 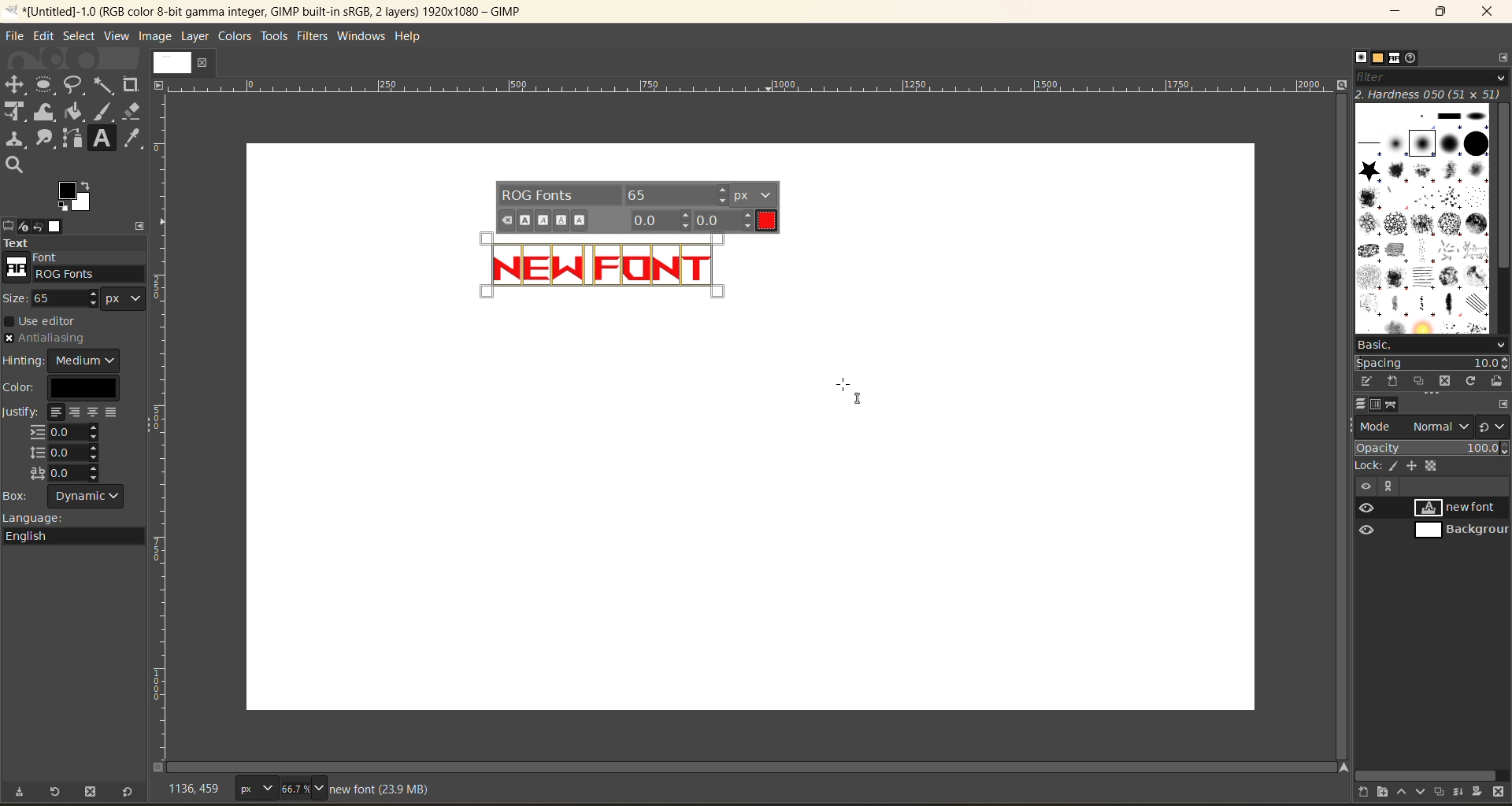 I want to click on paths, so click(x=1392, y=405).